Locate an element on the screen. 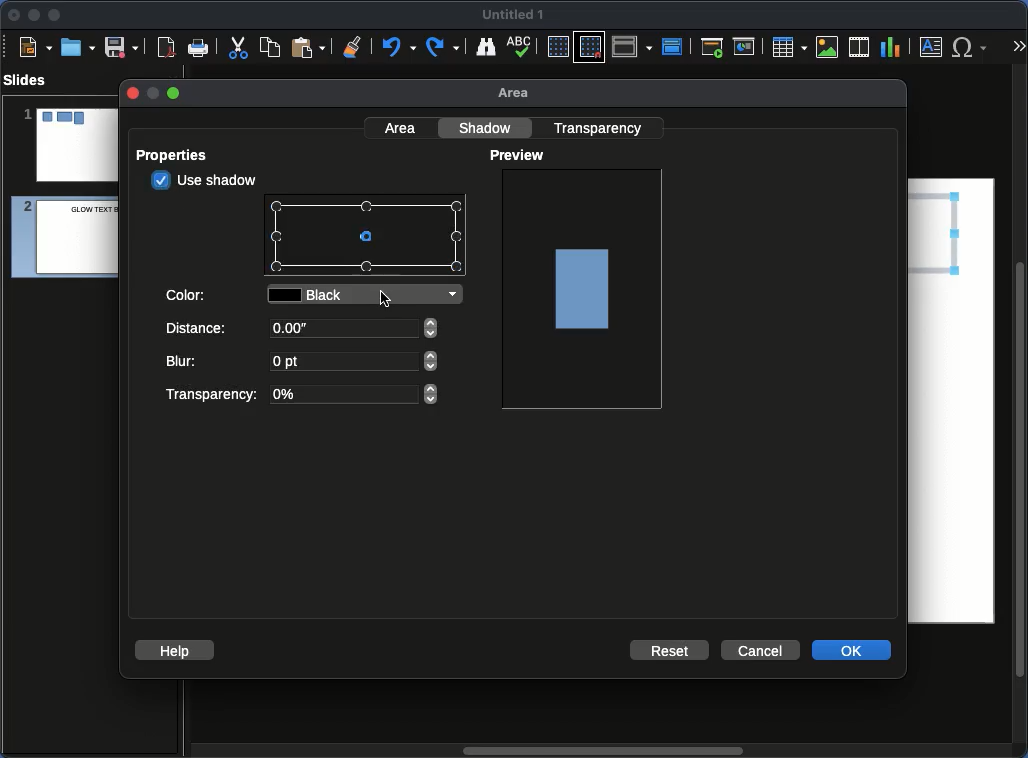 The height and width of the screenshot is (758, 1028). Preview is located at coordinates (520, 156).